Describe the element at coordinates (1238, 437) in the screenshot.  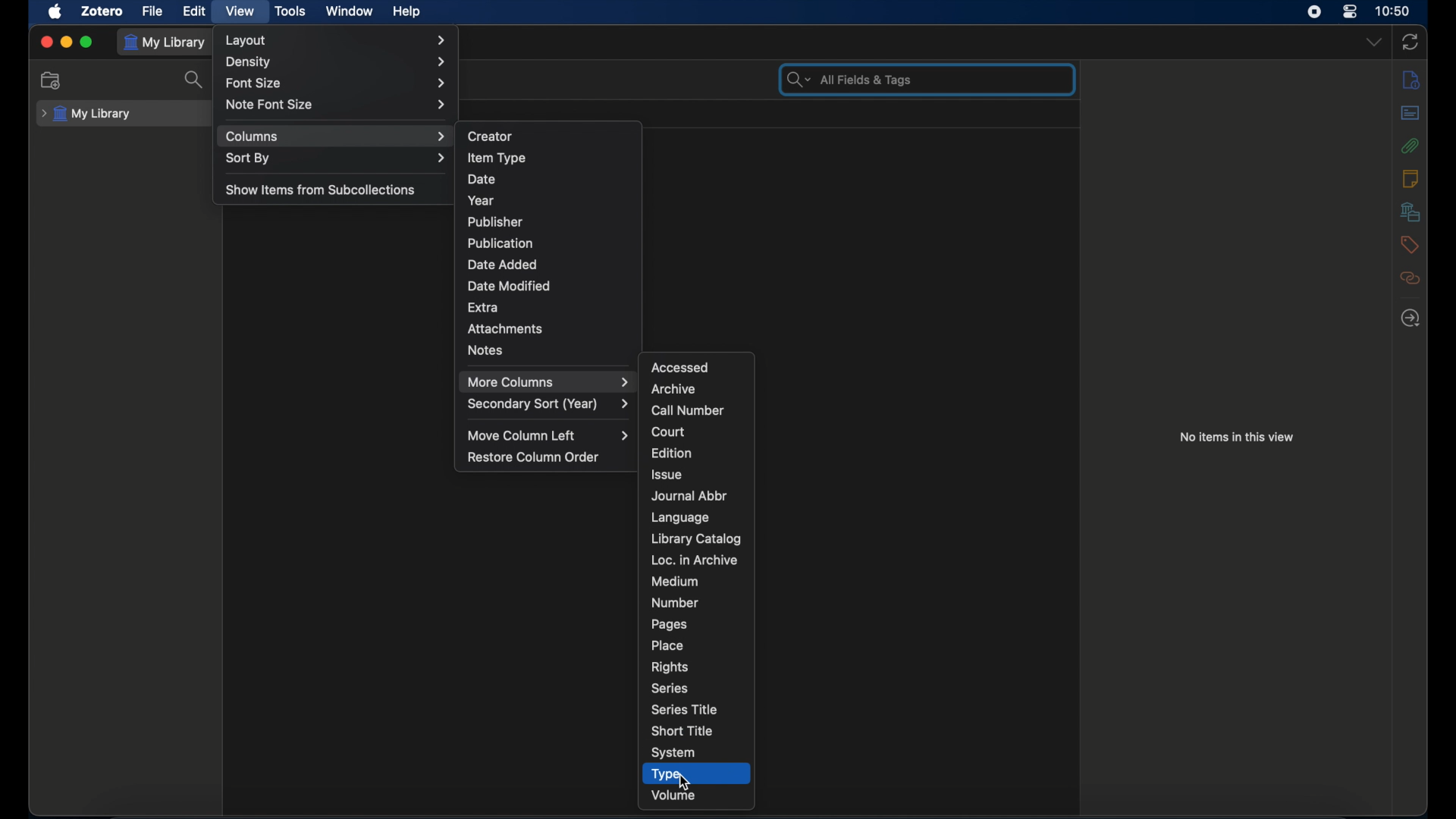
I see `no items in this view` at that location.